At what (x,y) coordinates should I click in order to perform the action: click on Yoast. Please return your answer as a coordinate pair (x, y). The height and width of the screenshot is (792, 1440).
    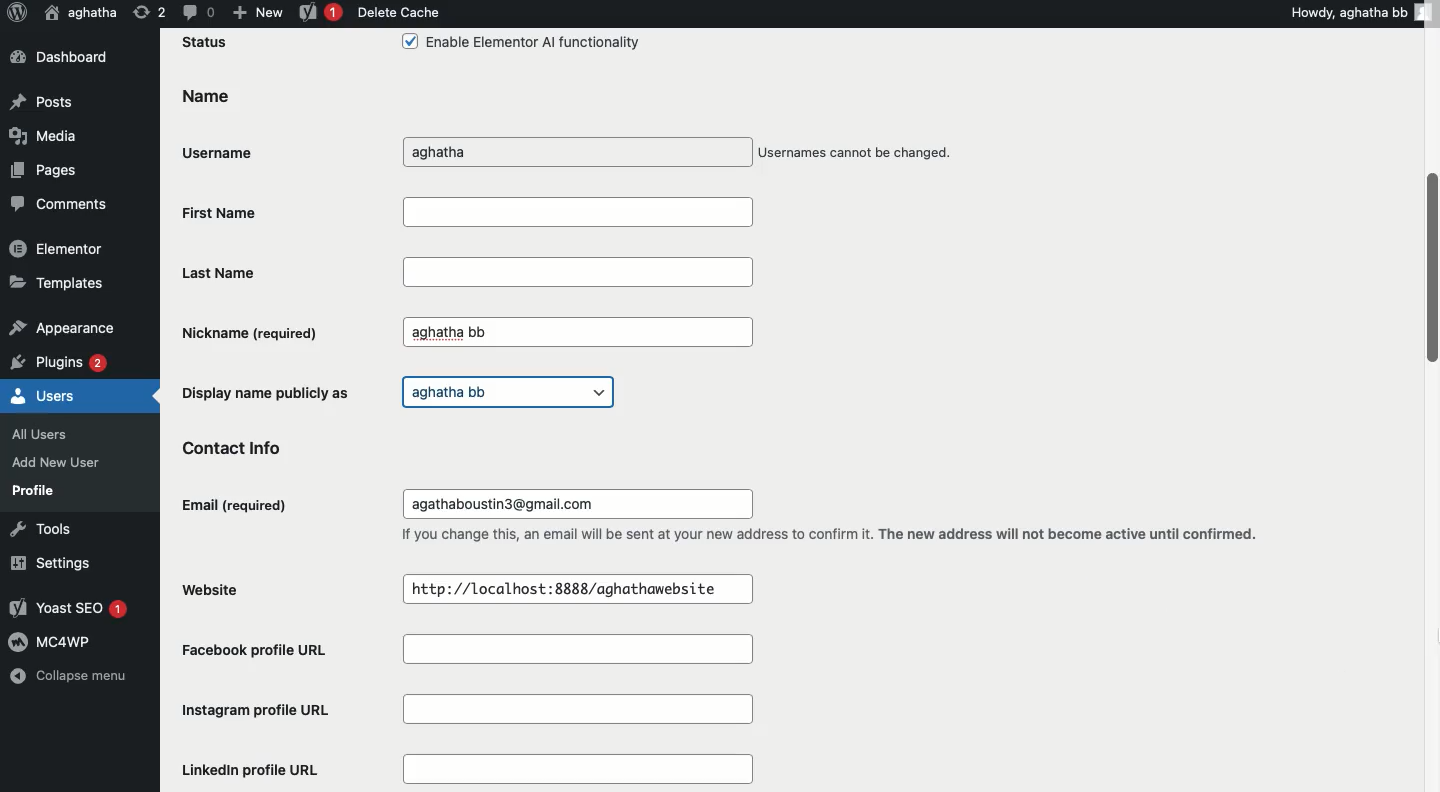
    Looking at the image, I should click on (321, 14).